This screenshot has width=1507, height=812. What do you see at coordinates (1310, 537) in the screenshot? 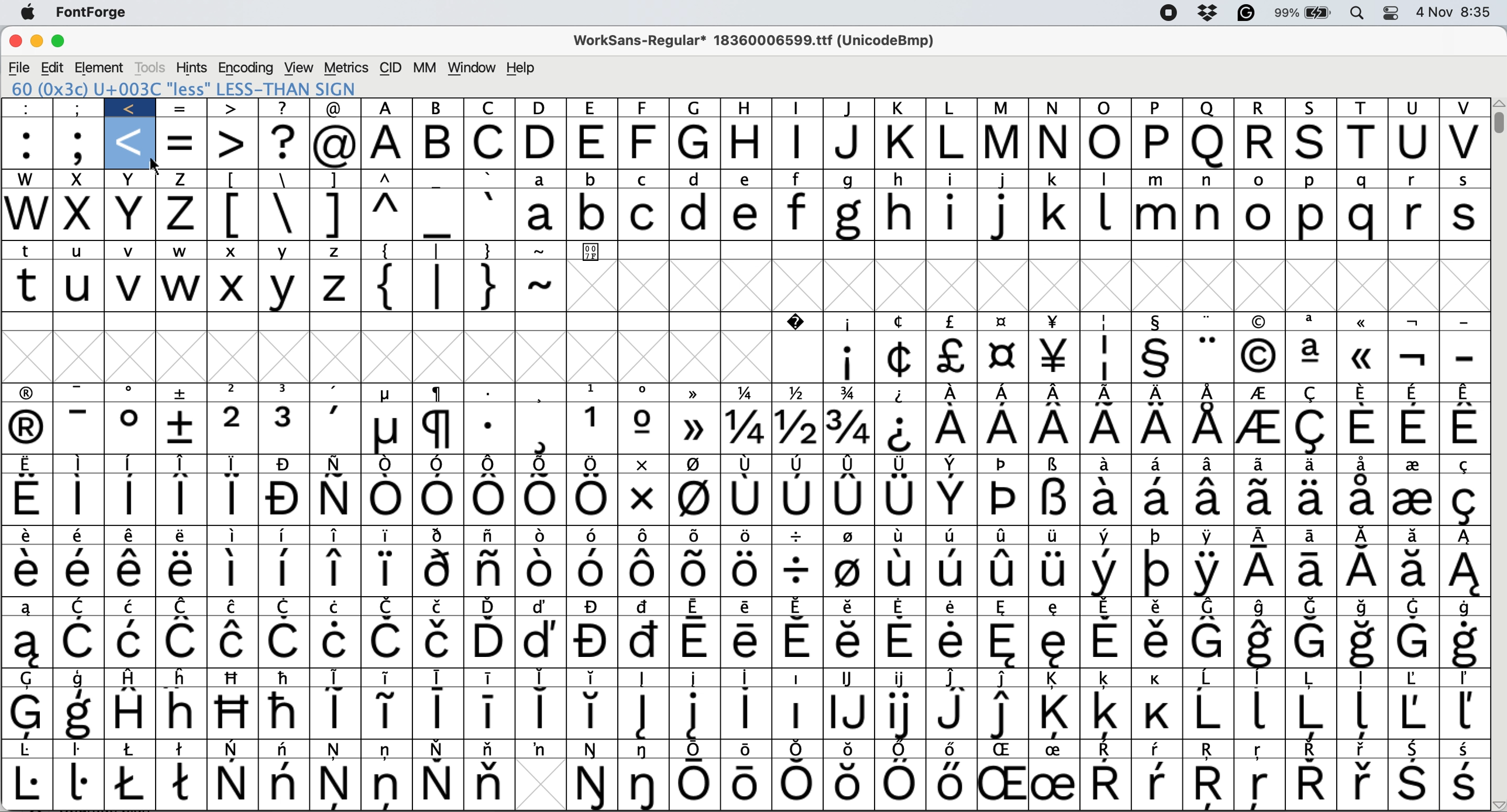
I see `Symbol` at bounding box center [1310, 537].